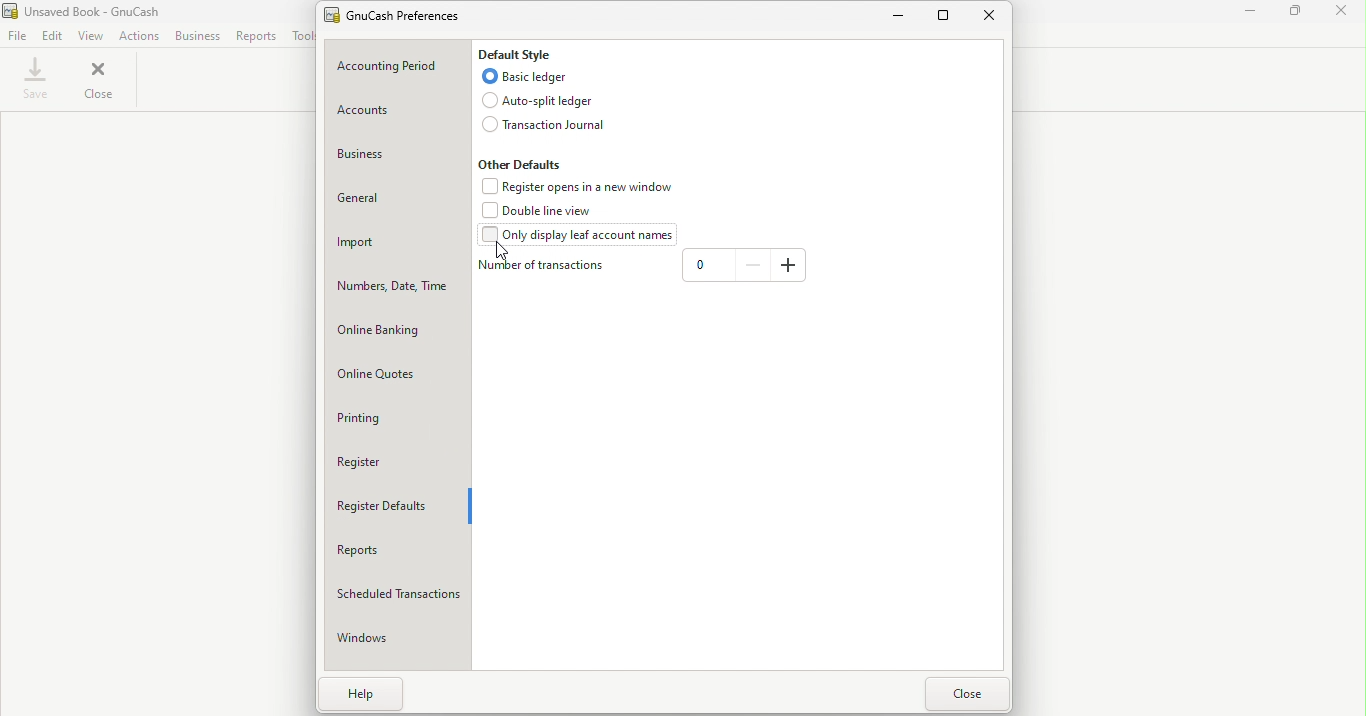 The image size is (1366, 716). What do you see at coordinates (396, 549) in the screenshot?
I see `Reports` at bounding box center [396, 549].